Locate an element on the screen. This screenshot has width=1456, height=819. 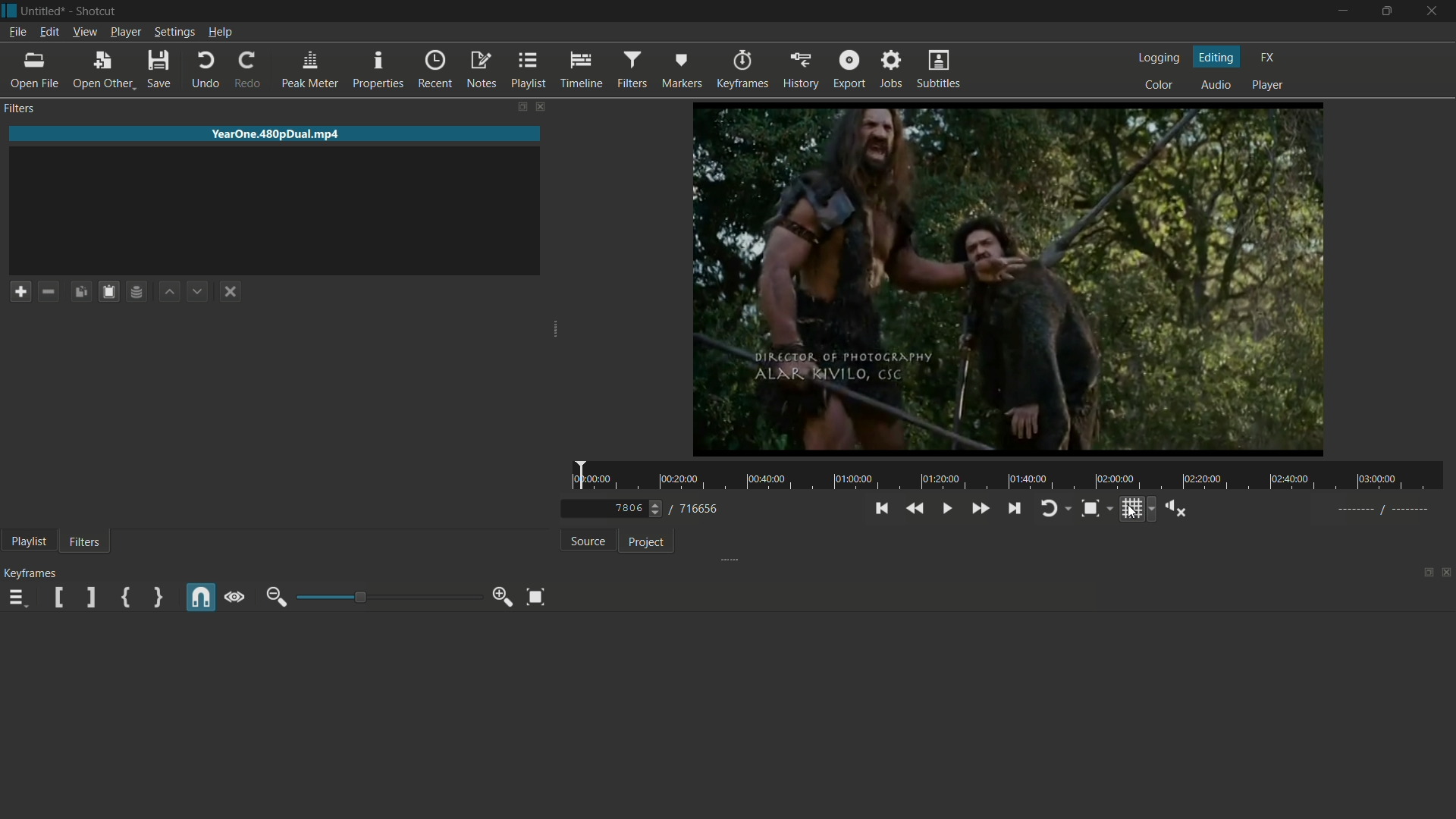
toggle zoom is located at coordinates (1090, 510).